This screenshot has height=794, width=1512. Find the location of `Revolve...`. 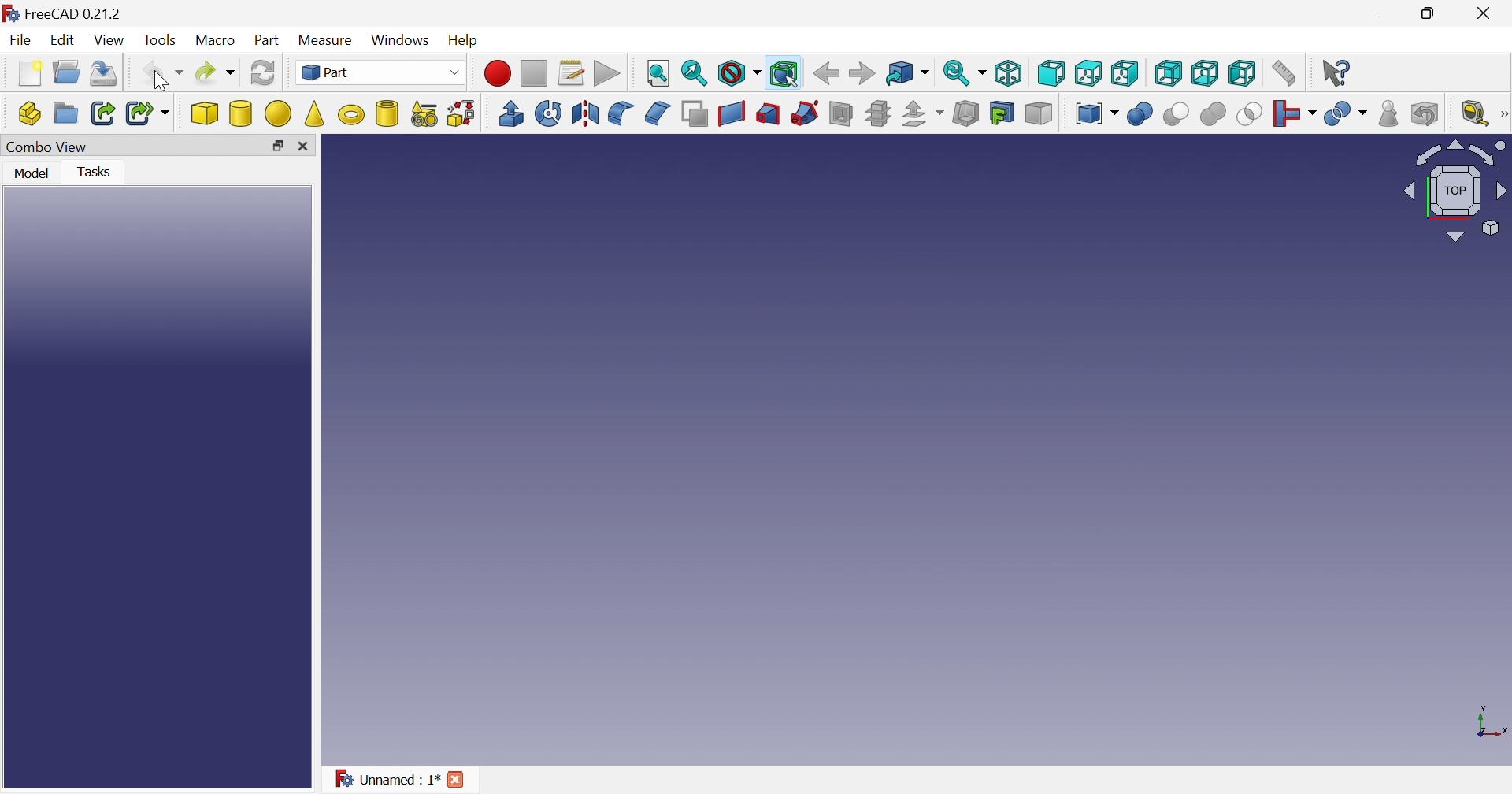

Revolve... is located at coordinates (547, 113).